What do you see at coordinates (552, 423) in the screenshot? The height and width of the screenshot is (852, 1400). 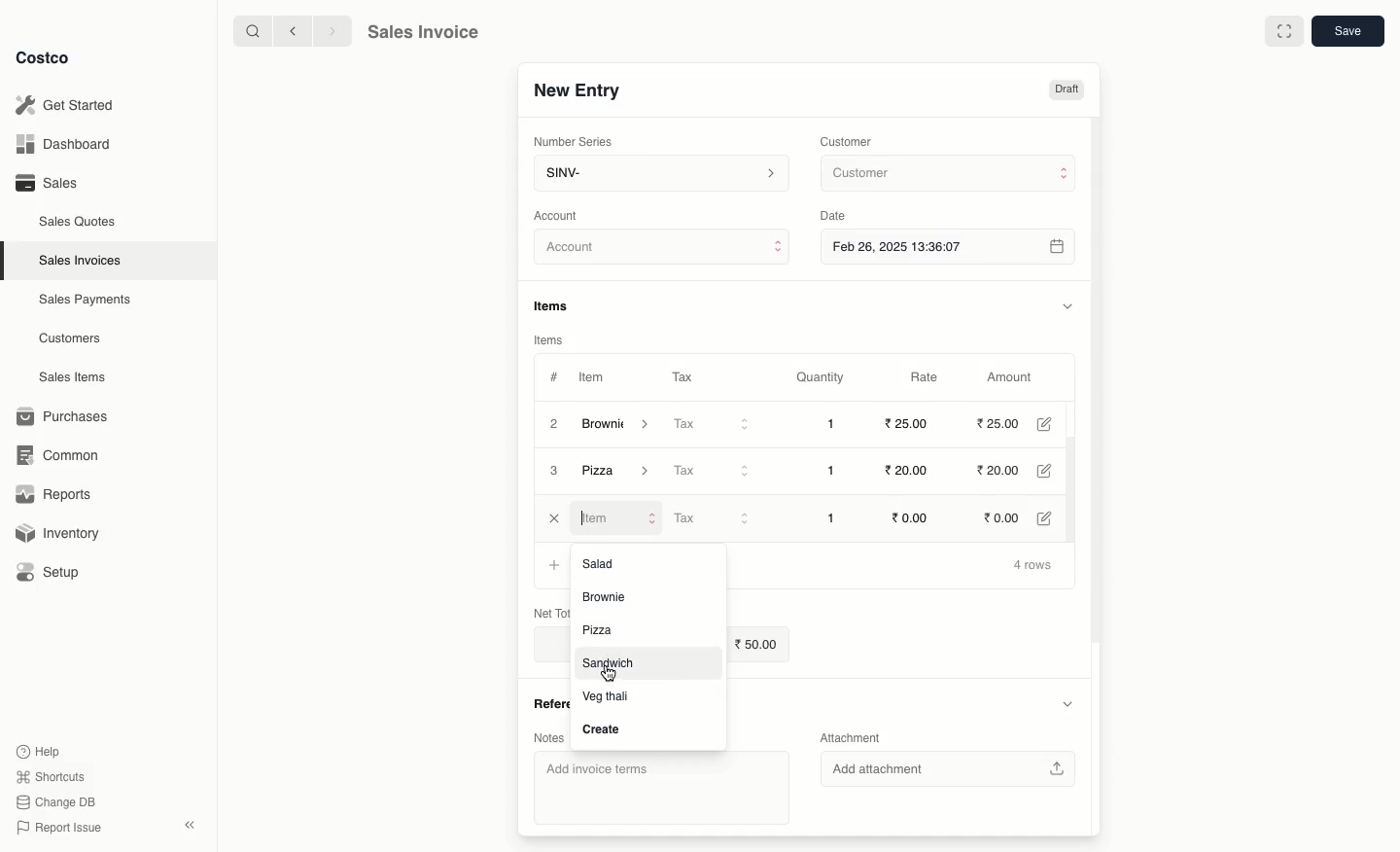 I see `2` at bounding box center [552, 423].